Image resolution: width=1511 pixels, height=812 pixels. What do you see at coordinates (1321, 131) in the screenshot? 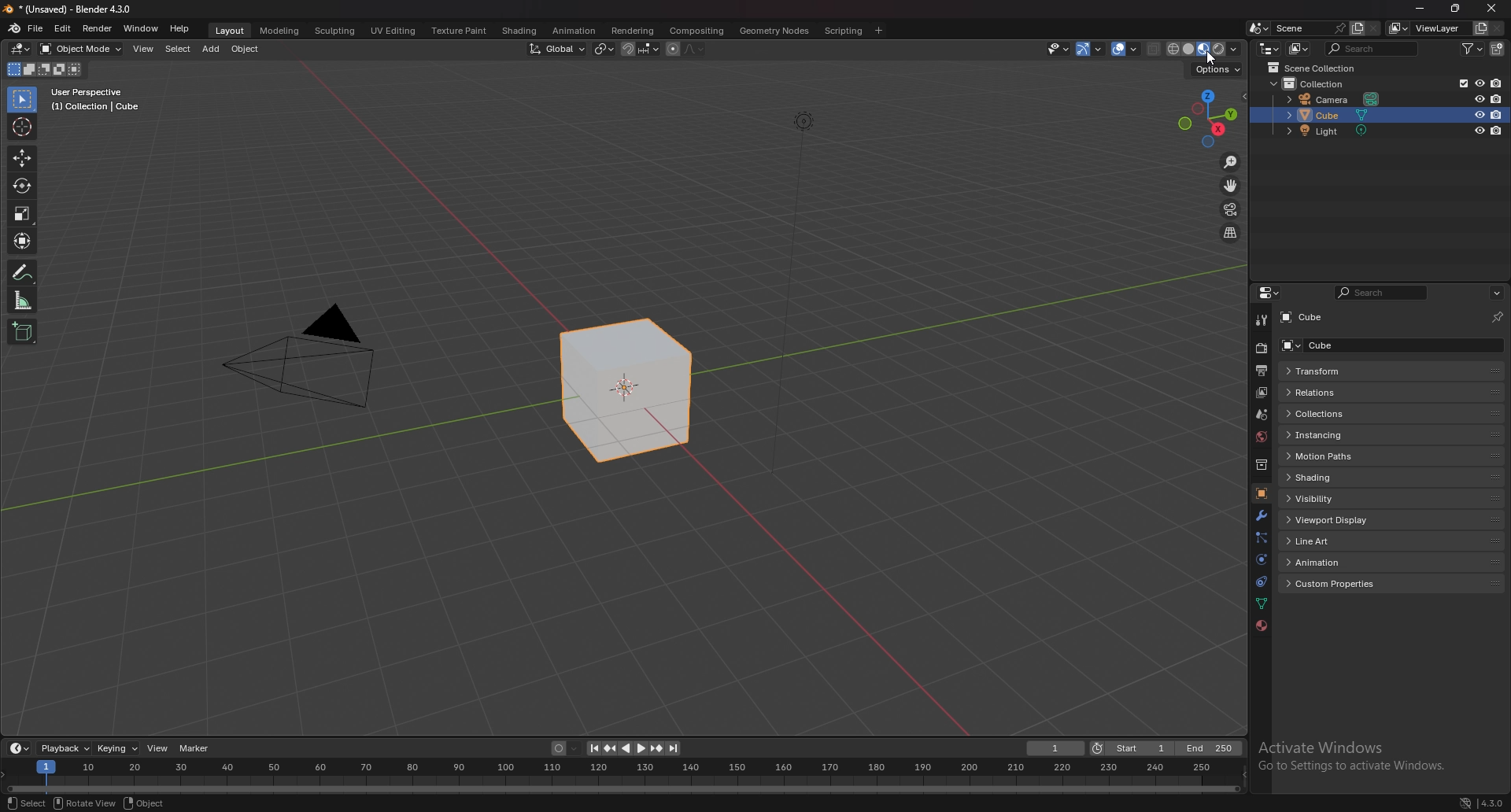
I see `light` at bounding box center [1321, 131].